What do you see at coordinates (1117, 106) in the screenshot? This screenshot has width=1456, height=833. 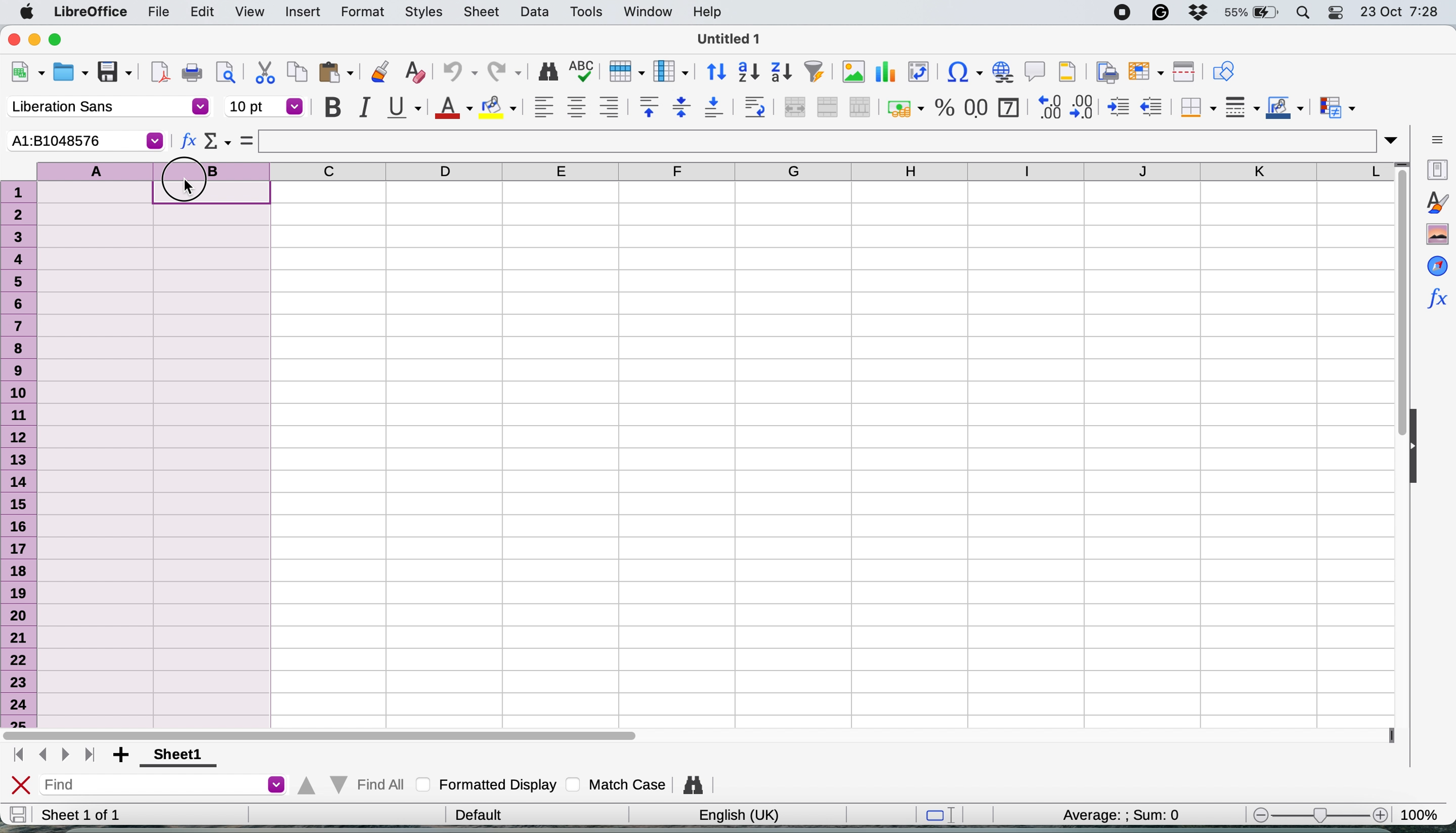 I see `increase indent` at bounding box center [1117, 106].